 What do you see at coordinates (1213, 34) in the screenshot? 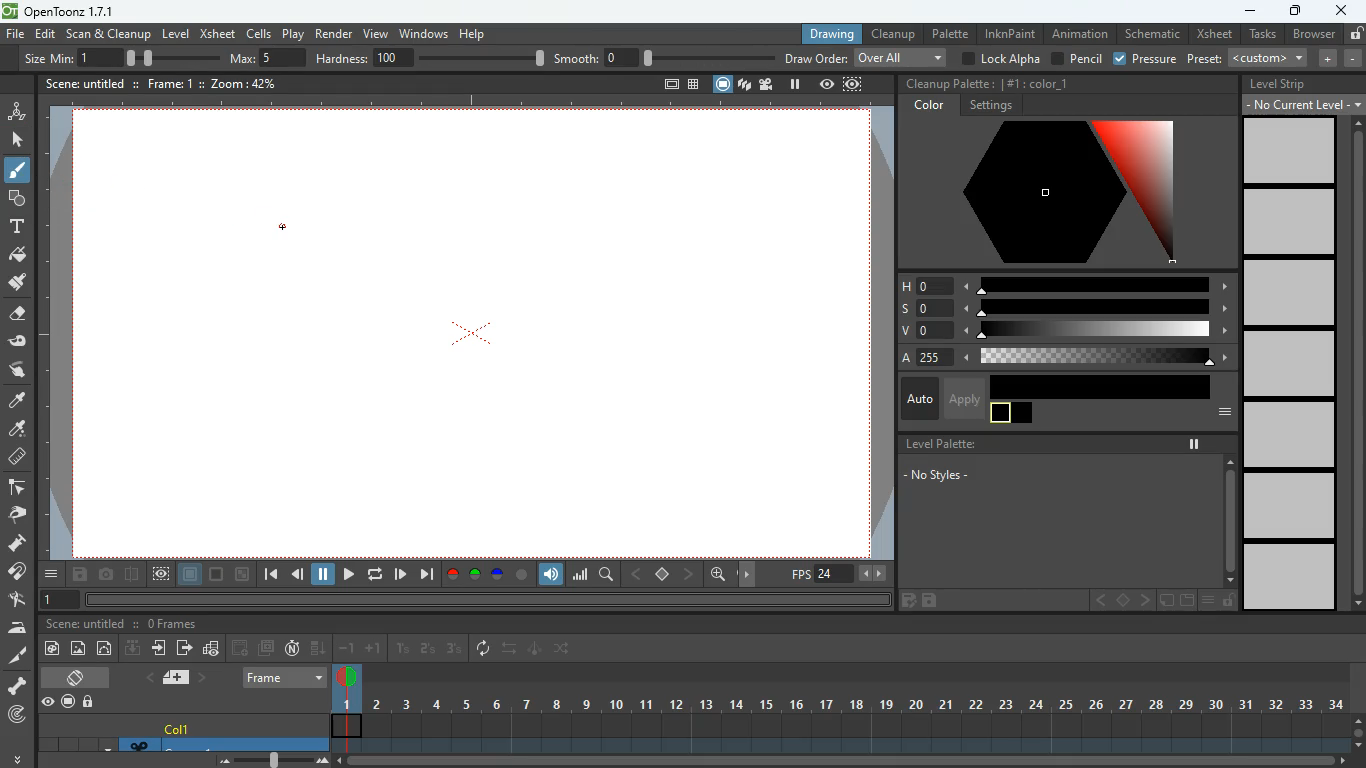
I see `xsheet` at bounding box center [1213, 34].